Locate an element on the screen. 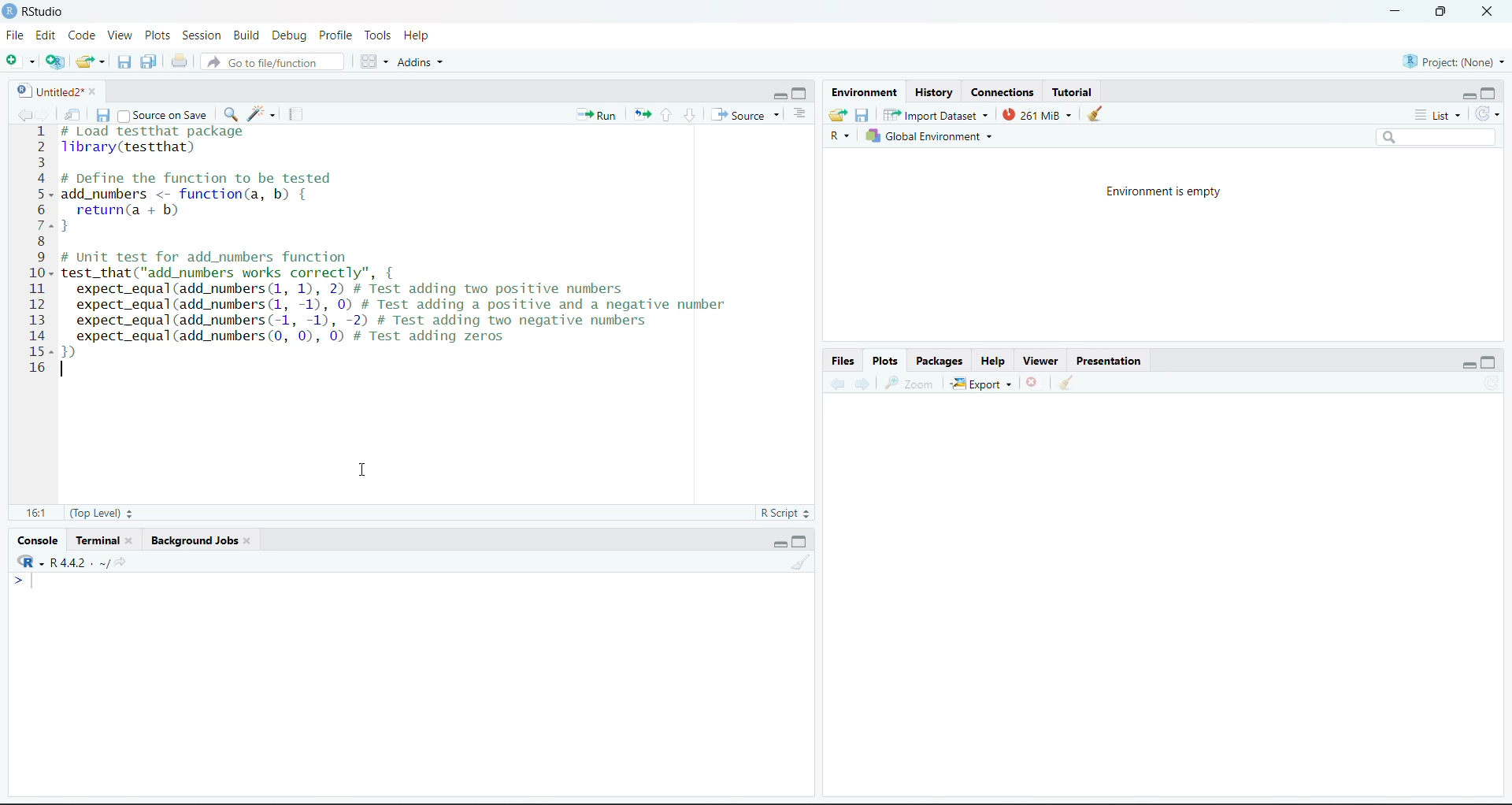 The width and height of the screenshot is (1512, 805). Plots is located at coordinates (157, 35).